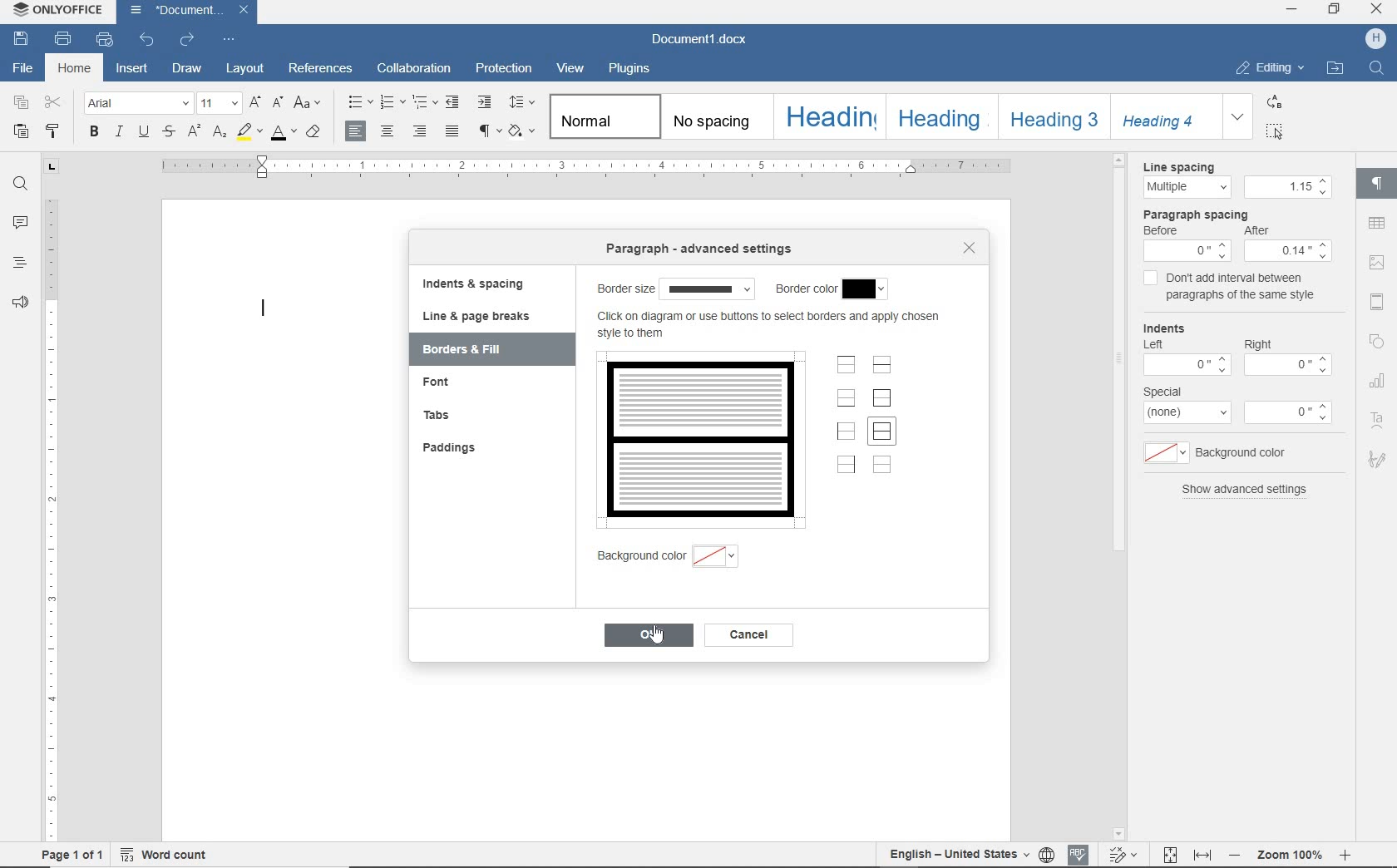  I want to click on Fit to width, so click(1204, 856).